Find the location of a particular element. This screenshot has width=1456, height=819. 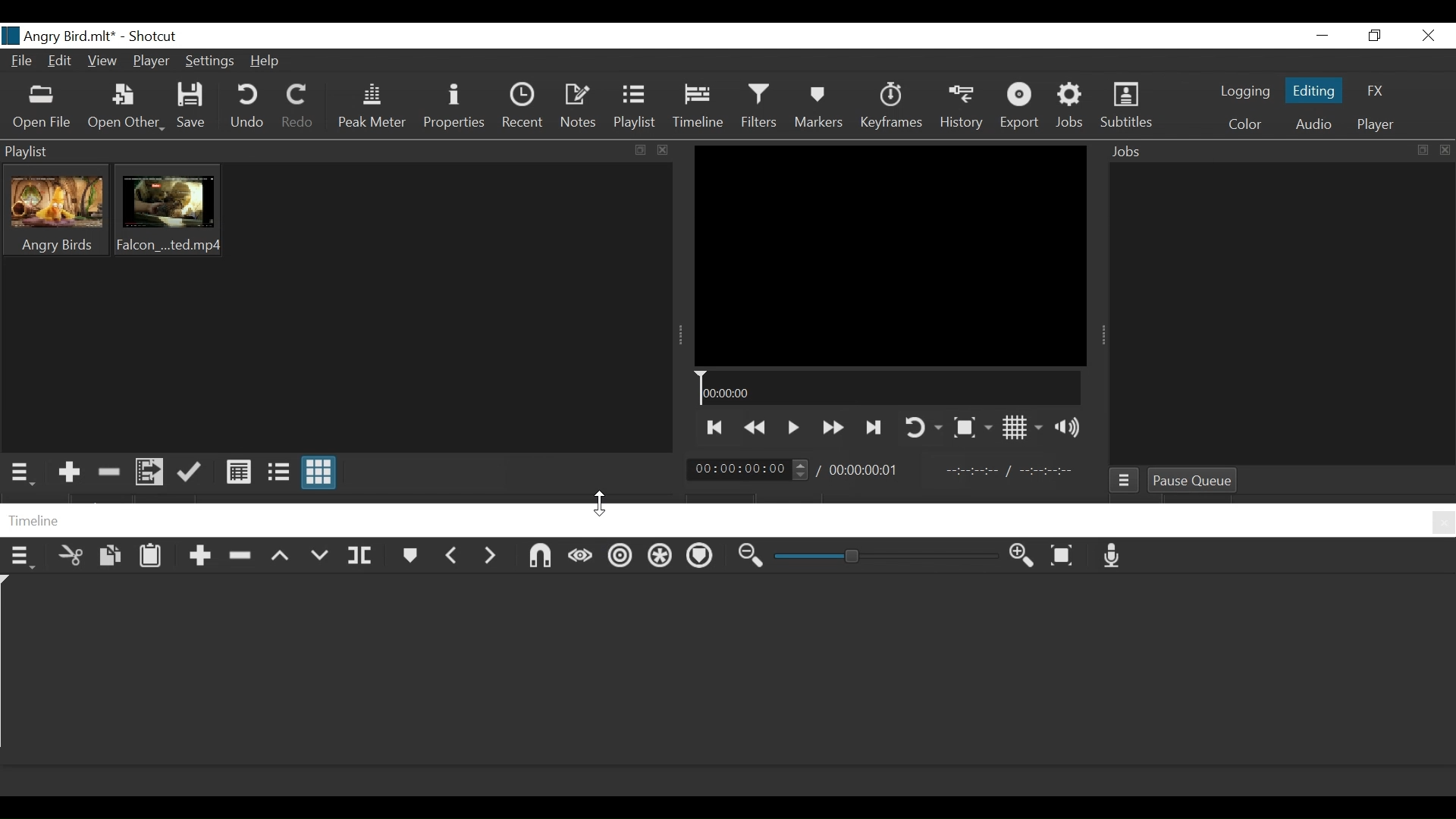

Toggle play or pause (space) is located at coordinates (792, 428).